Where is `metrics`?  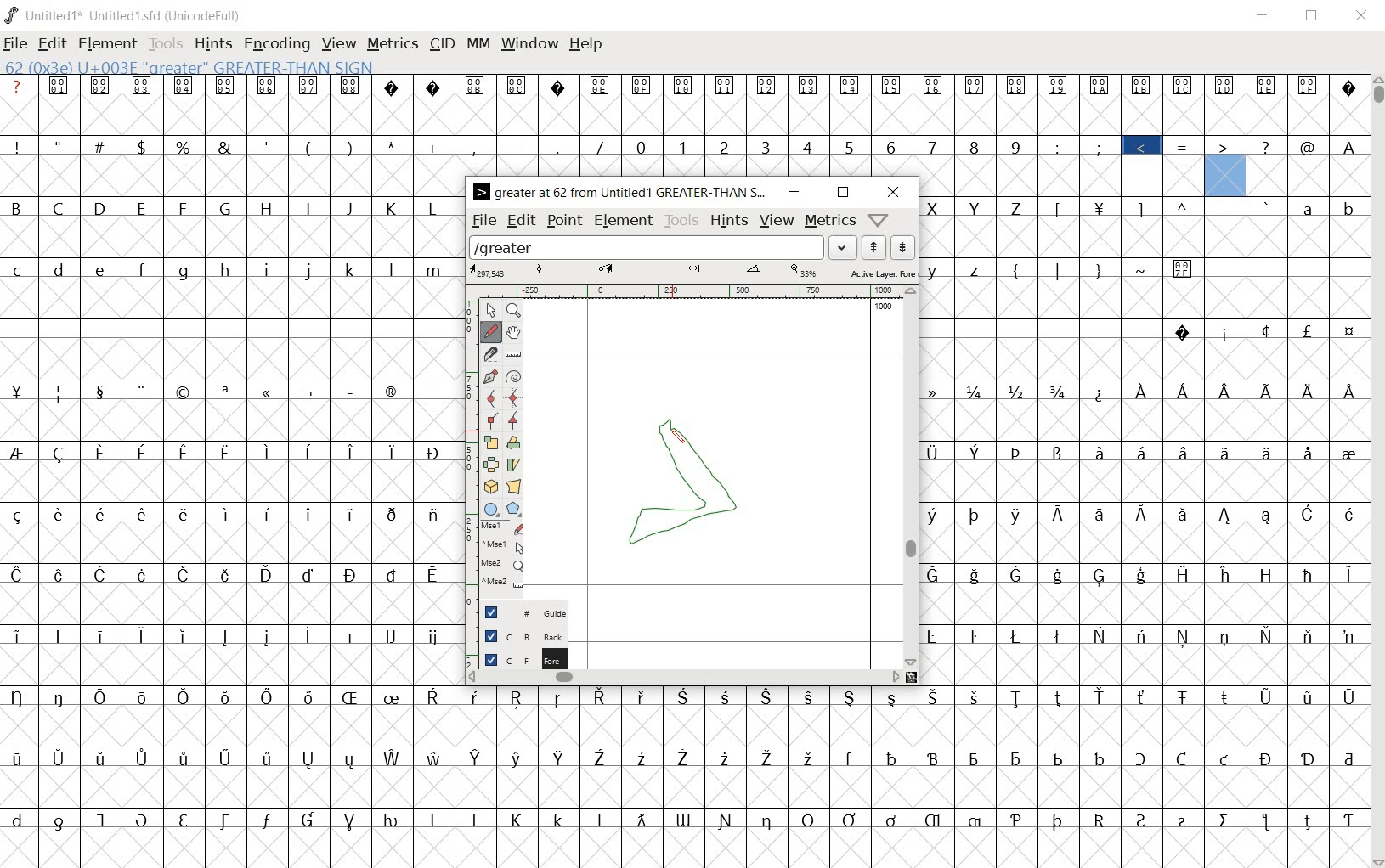
metrics is located at coordinates (394, 45).